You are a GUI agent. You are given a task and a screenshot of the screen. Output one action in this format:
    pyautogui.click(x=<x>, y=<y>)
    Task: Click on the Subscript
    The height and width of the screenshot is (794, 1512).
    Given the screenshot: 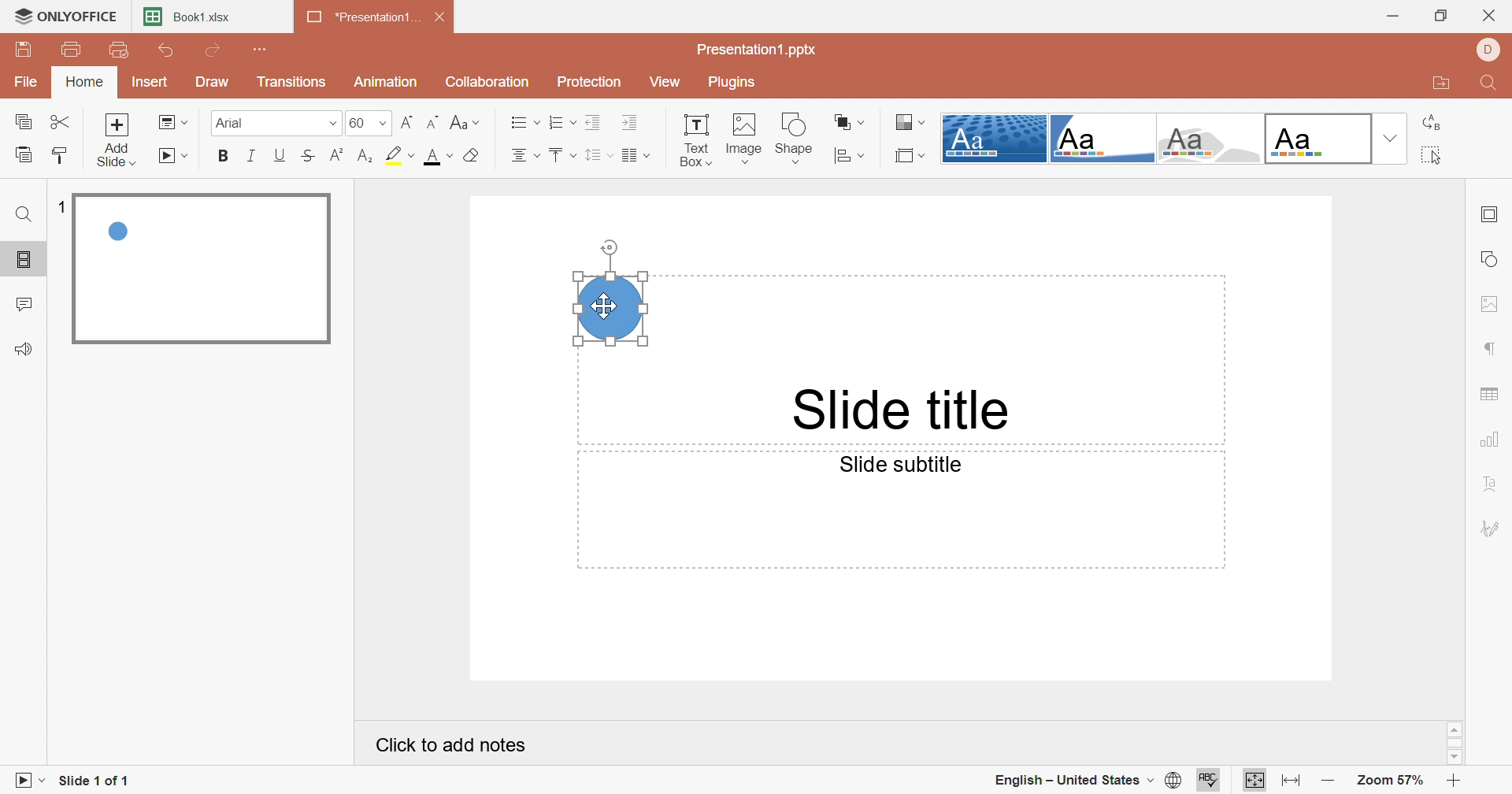 What is the action you would take?
    pyautogui.click(x=369, y=155)
    